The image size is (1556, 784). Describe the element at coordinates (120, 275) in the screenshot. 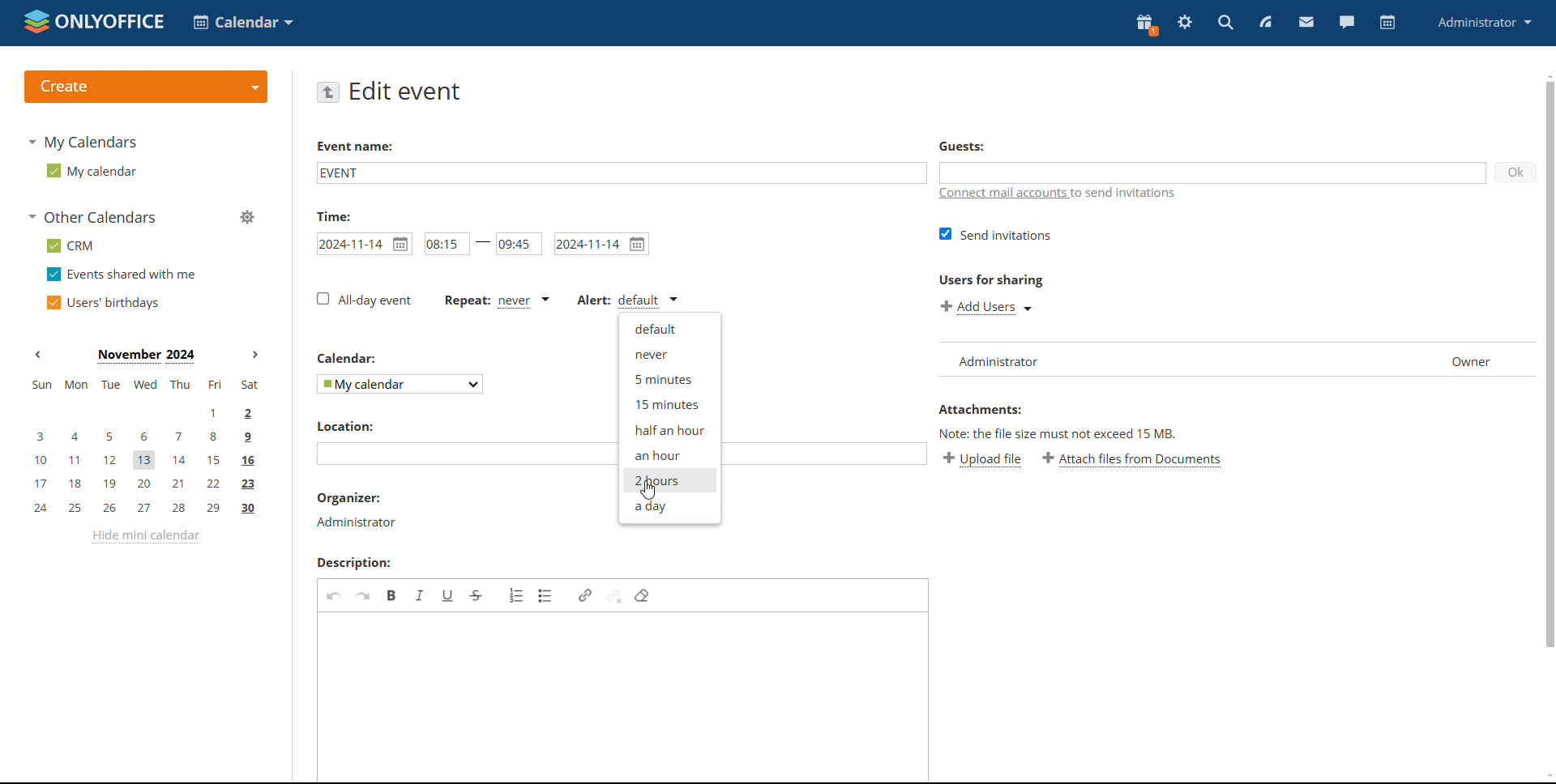

I see `events shared with me` at that location.